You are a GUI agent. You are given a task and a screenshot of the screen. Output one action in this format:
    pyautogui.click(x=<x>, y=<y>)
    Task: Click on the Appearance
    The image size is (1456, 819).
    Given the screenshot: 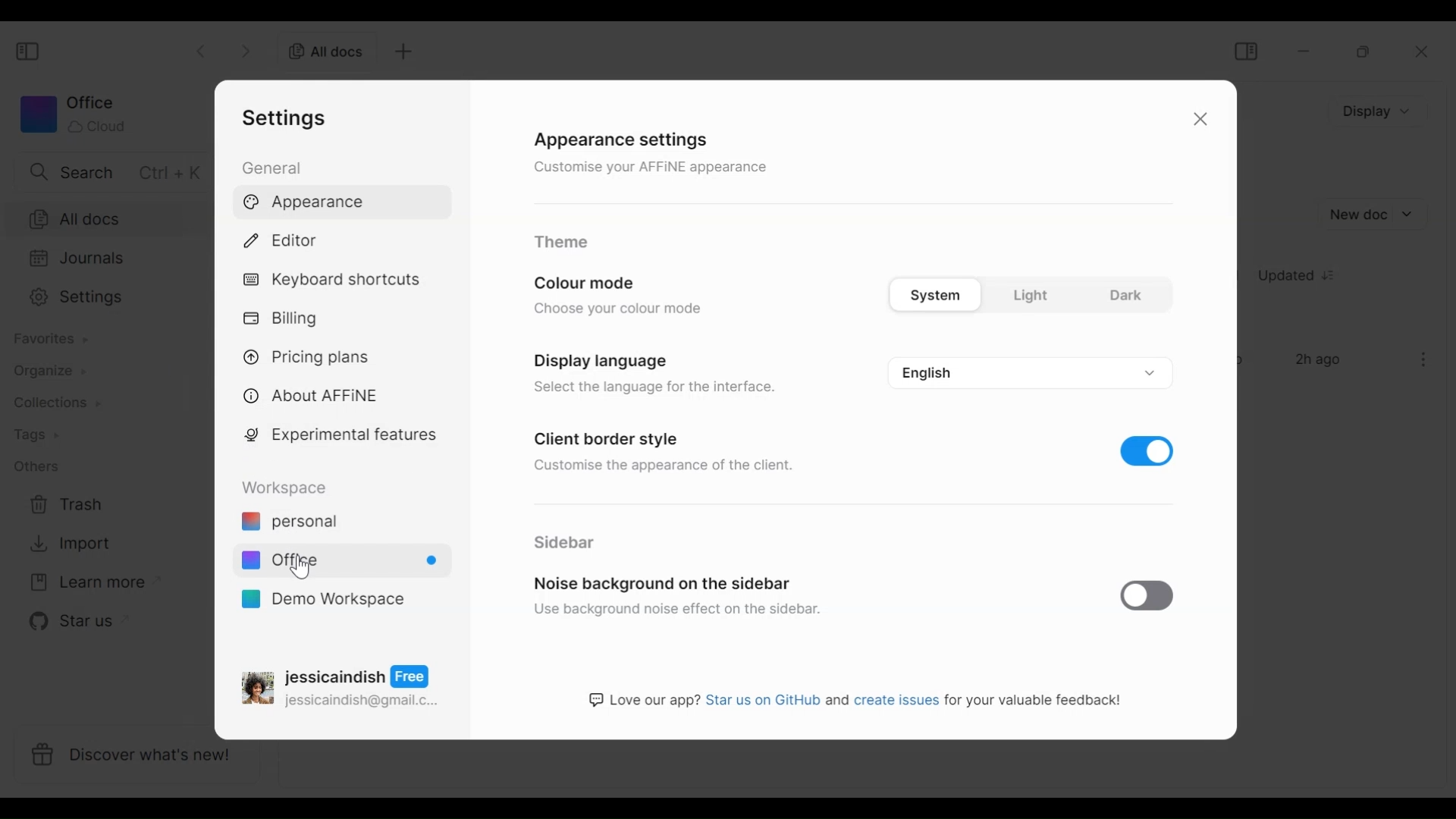 What is the action you would take?
    pyautogui.click(x=309, y=203)
    